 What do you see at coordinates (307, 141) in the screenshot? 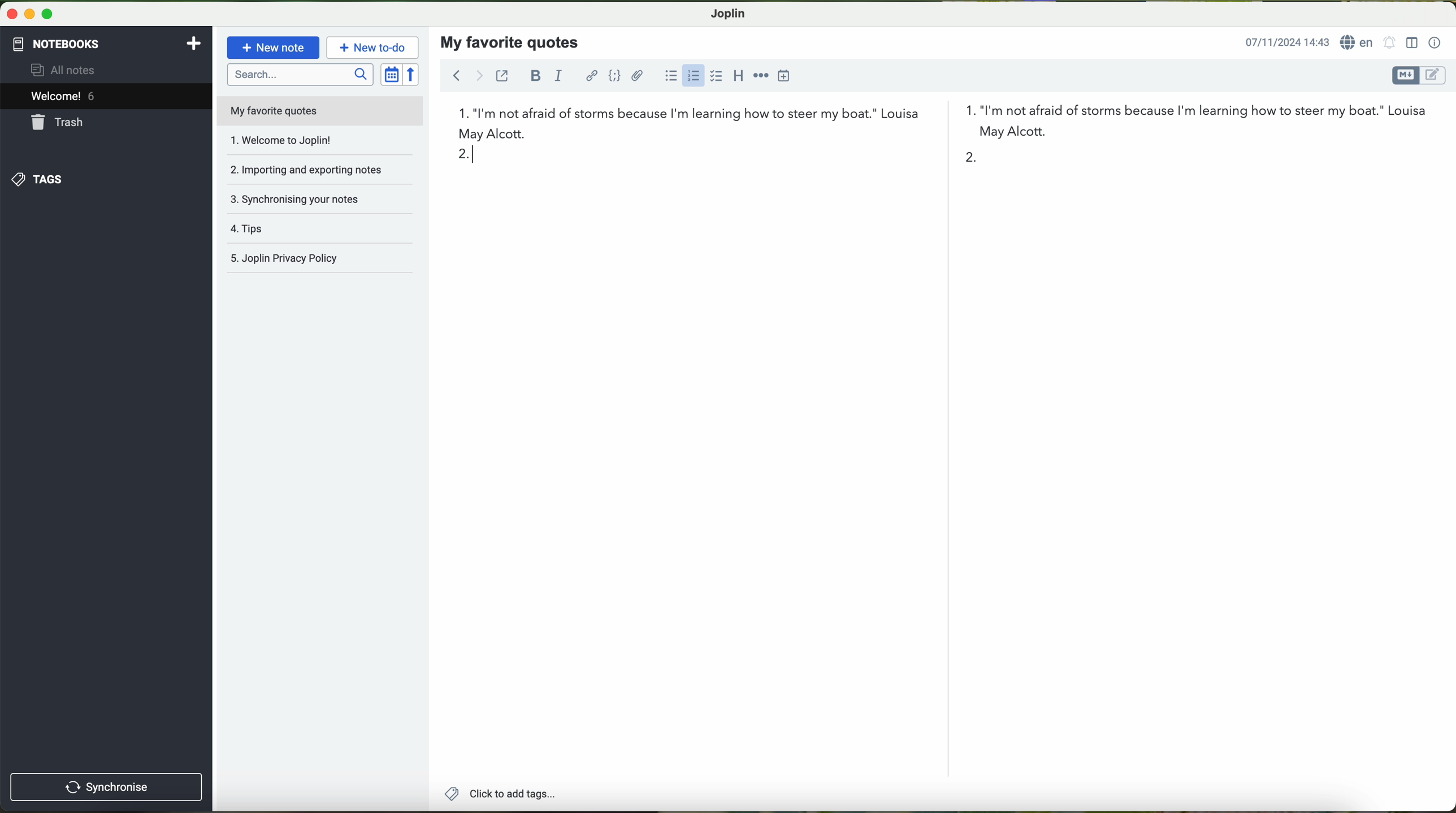
I see `welcome to joplin` at bounding box center [307, 141].